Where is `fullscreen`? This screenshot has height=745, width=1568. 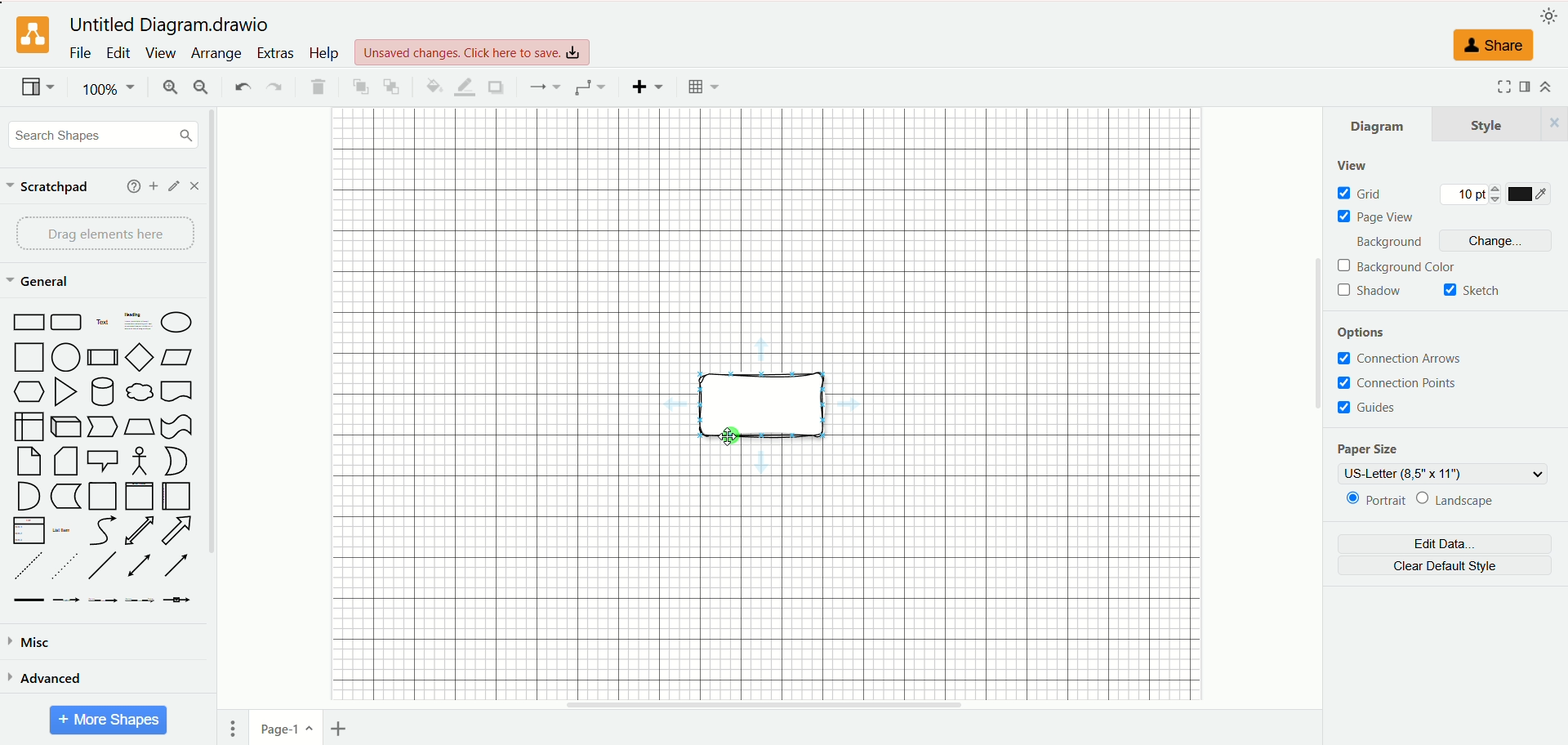
fullscreen is located at coordinates (1501, 86).